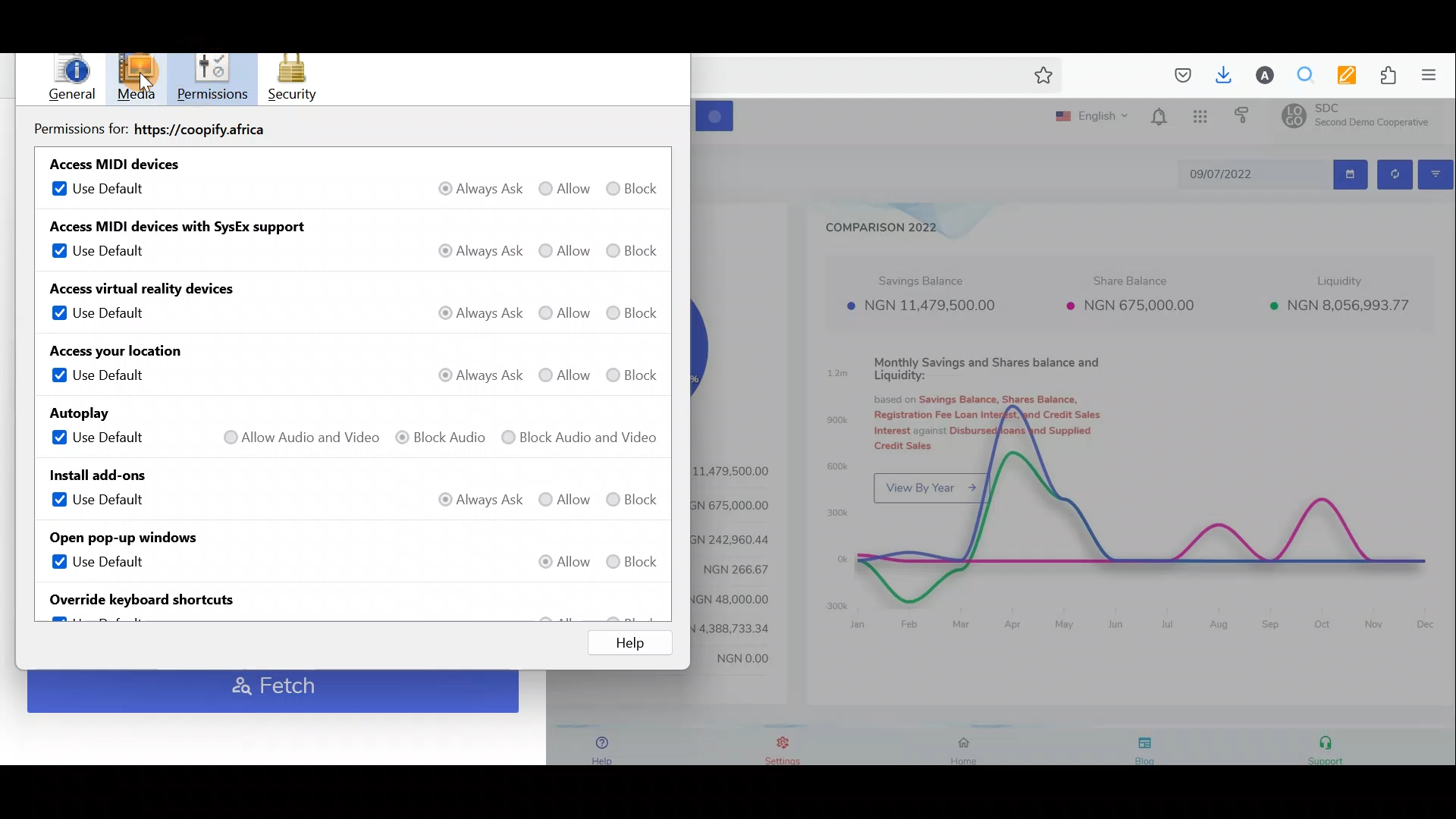  Describe the element at coordinates (293, 80) in the screenshot. I see `Security` at that location.